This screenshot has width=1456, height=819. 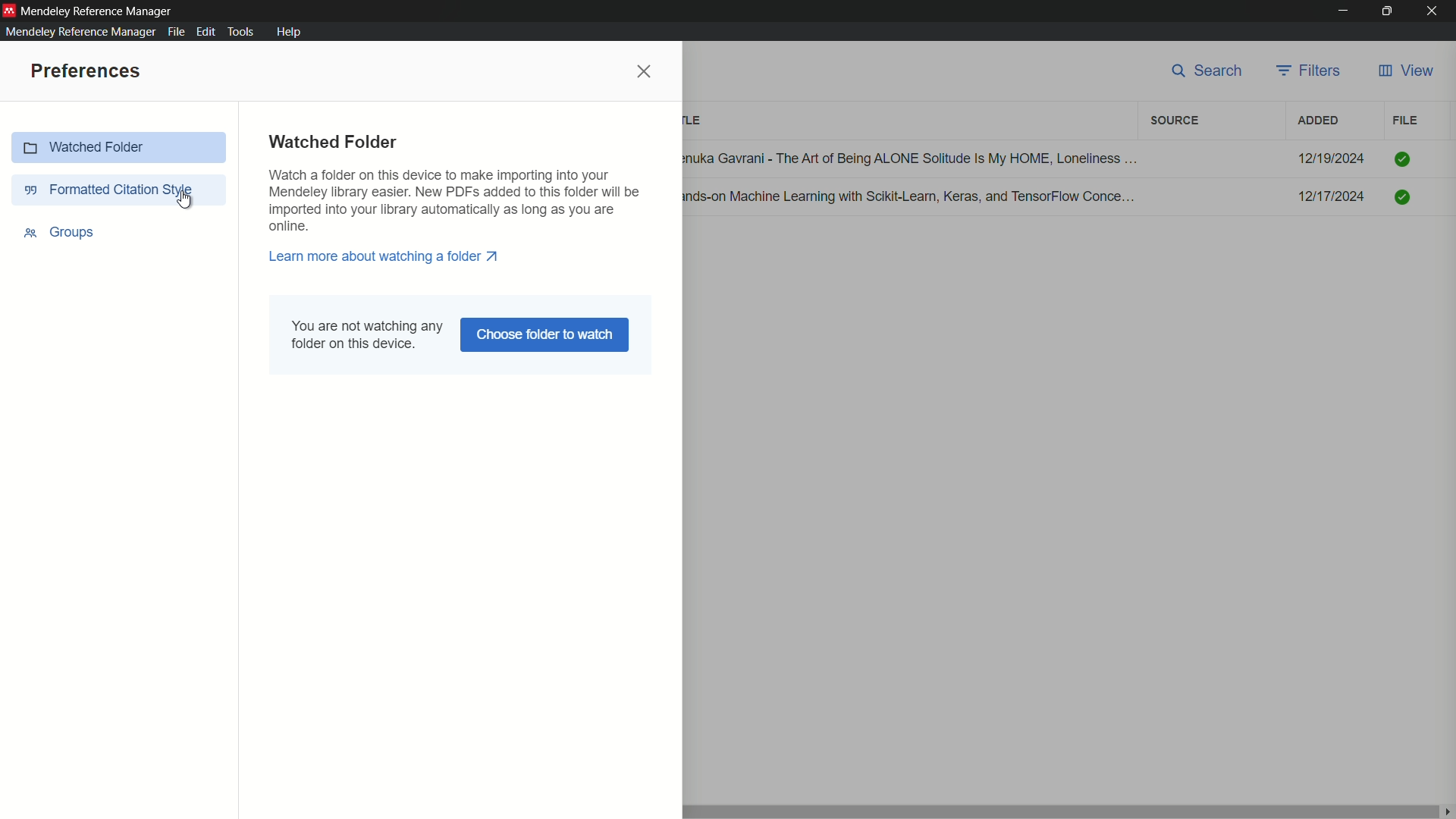 What do you see at coordinates (1342, 11) in the screenshot?
I see `minimize` at bounding box center [1342, 11].